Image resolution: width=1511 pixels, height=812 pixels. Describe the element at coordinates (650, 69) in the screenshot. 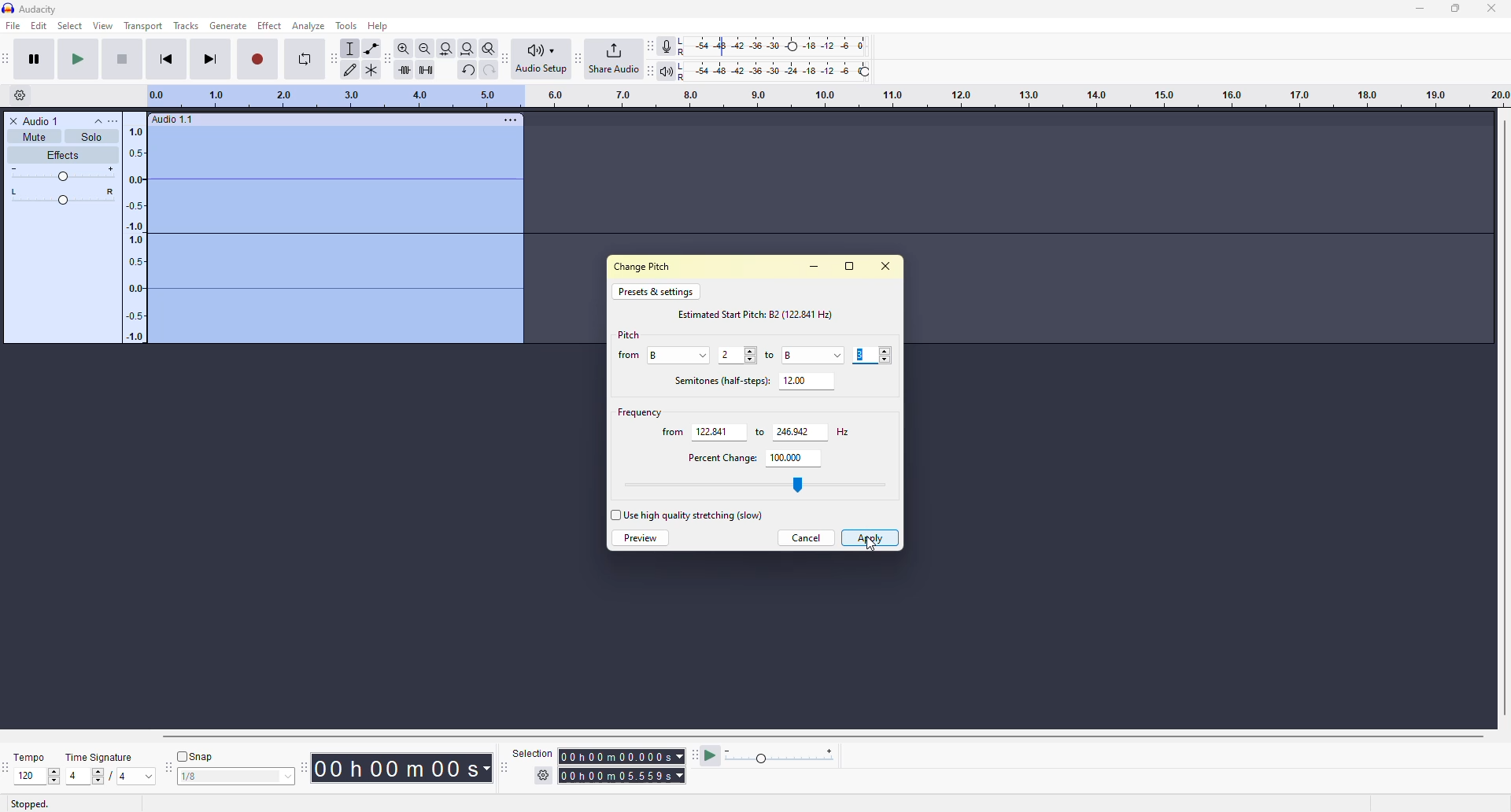

I see `playback meter toolbar` at that location.